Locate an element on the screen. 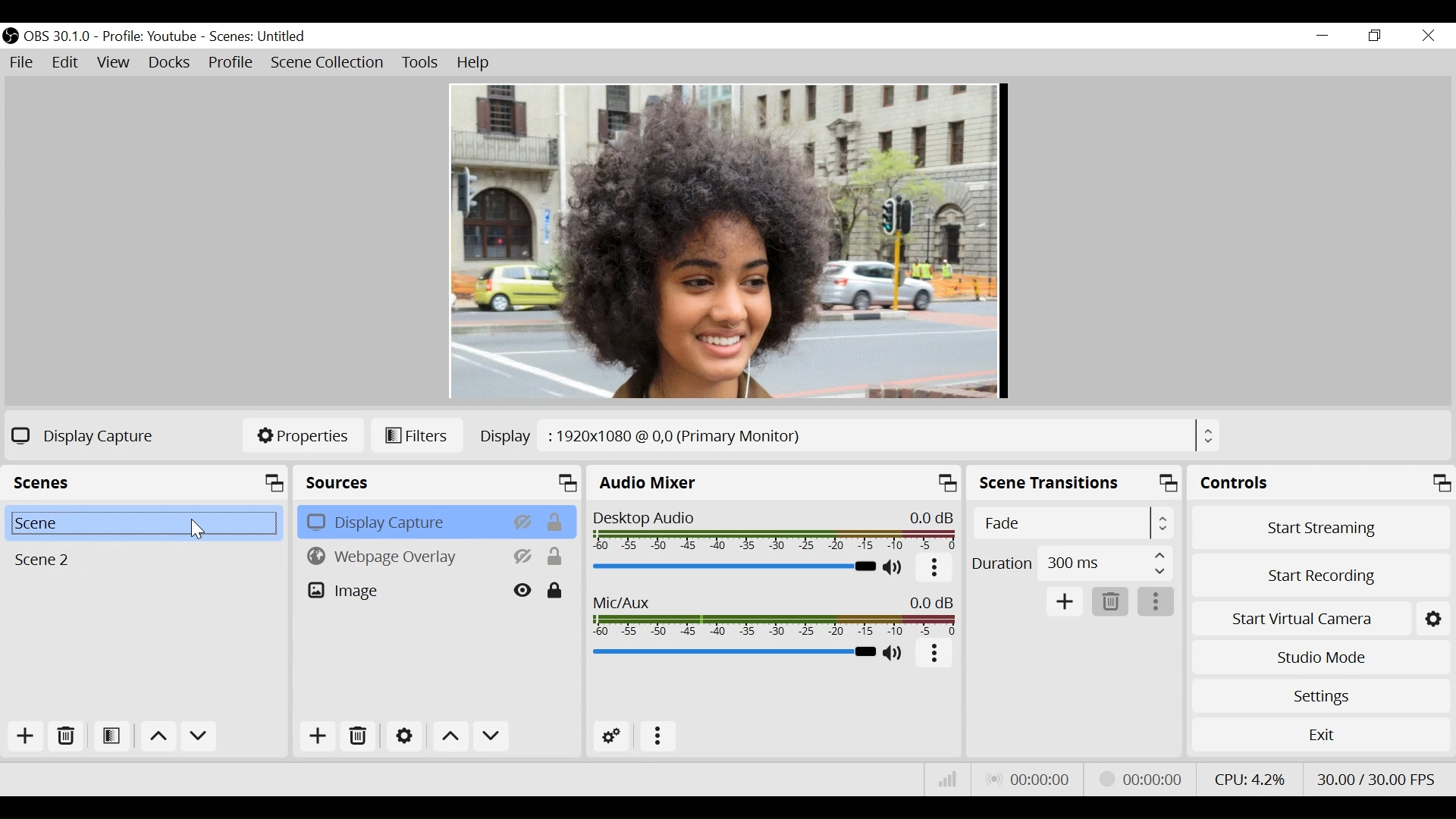  Display Browser is located at coordinates (849, 435).